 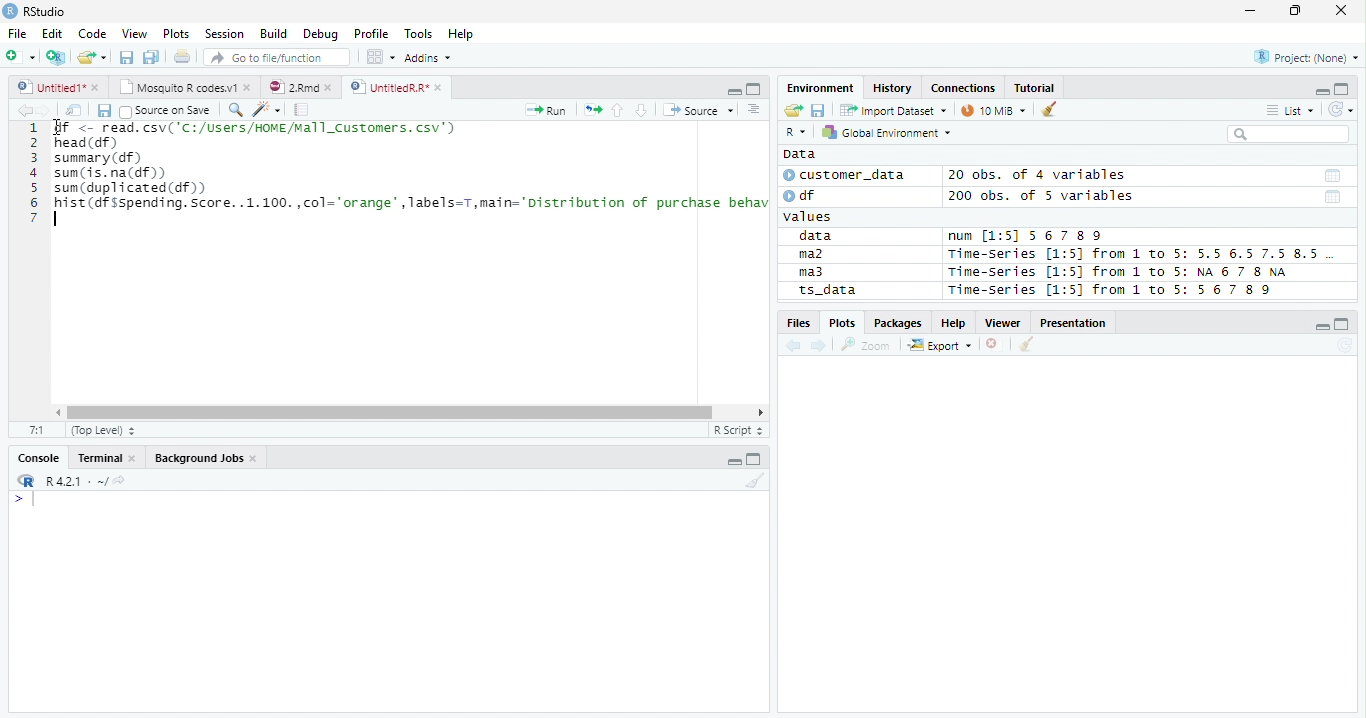 I want to click on Plots, so click(x=842, y=322).